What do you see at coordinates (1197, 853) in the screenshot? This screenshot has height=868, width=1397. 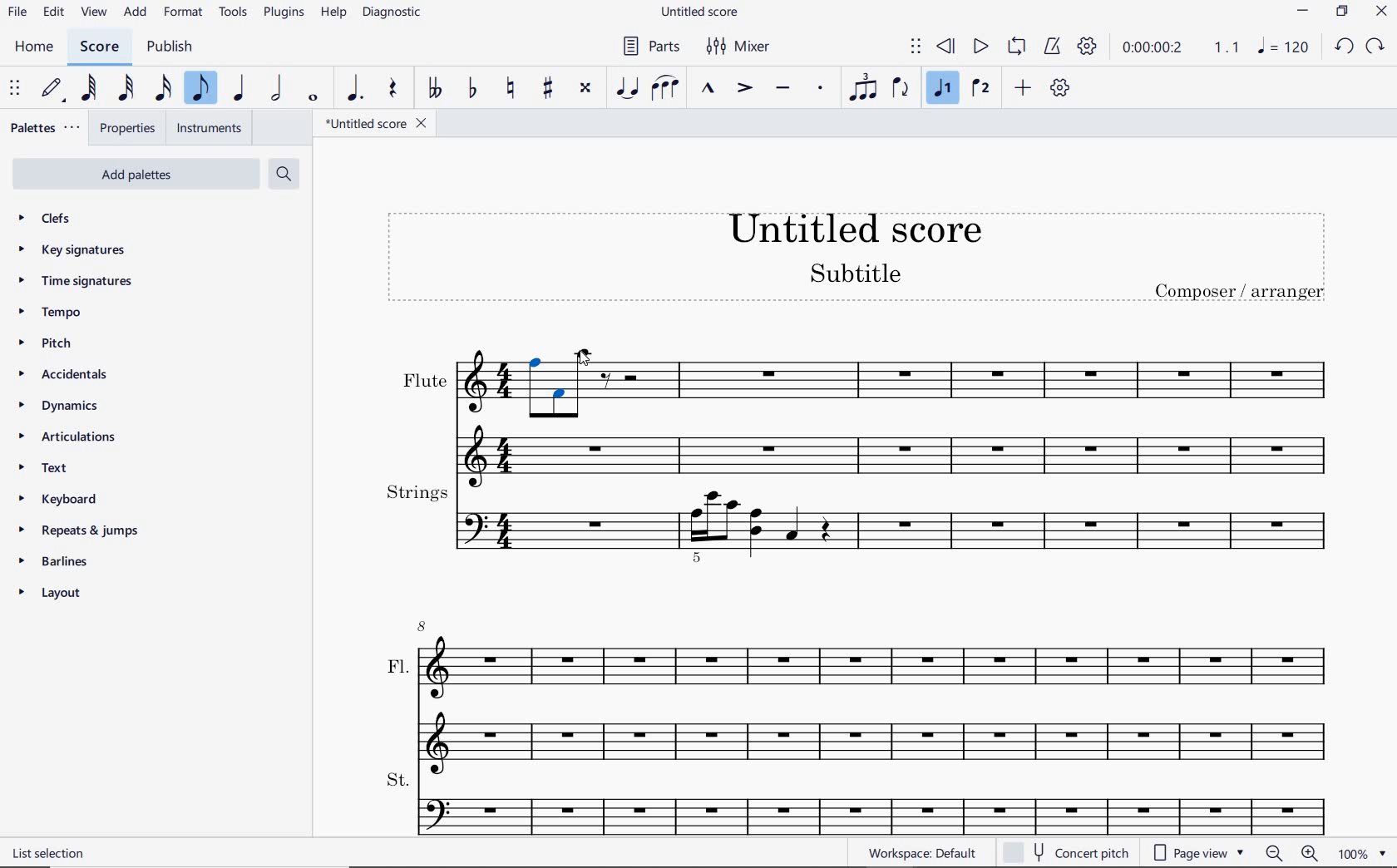 I see `page view` at bounding box center [1197, 853].